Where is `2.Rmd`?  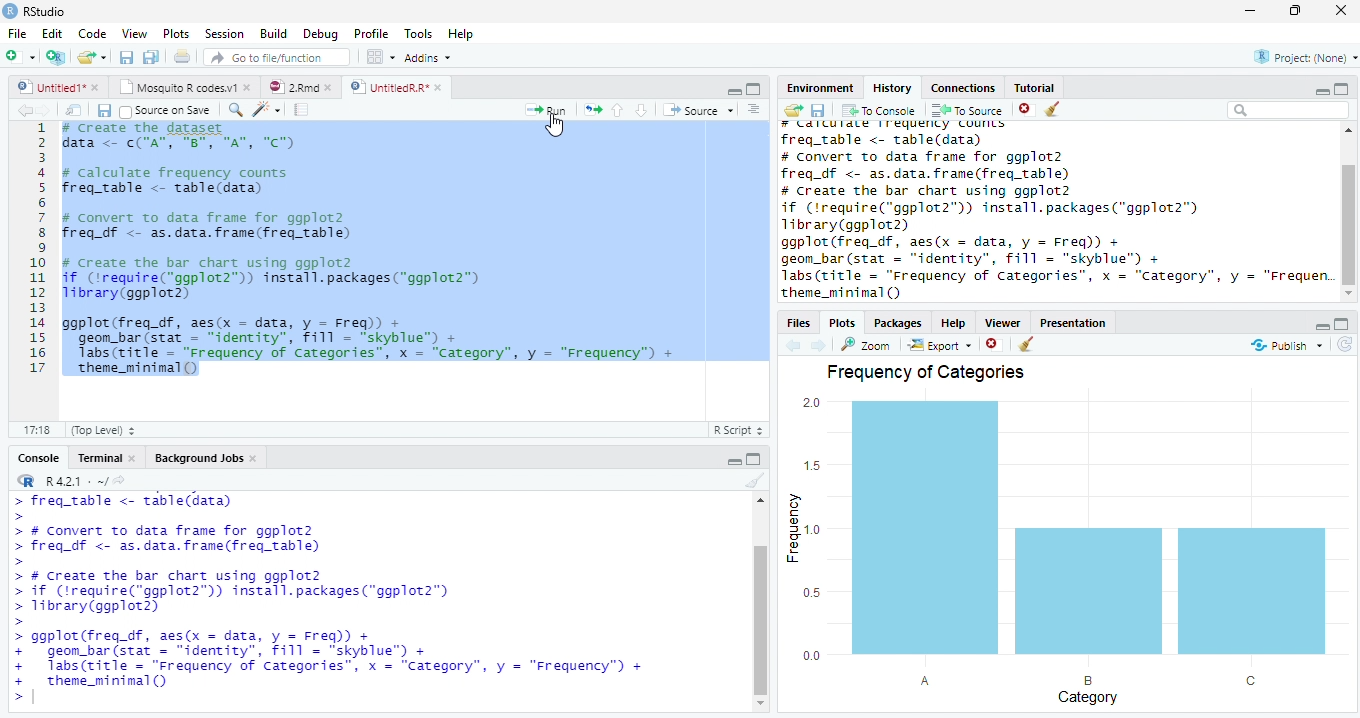 2.Rmd is located at coordinates (300, 89).